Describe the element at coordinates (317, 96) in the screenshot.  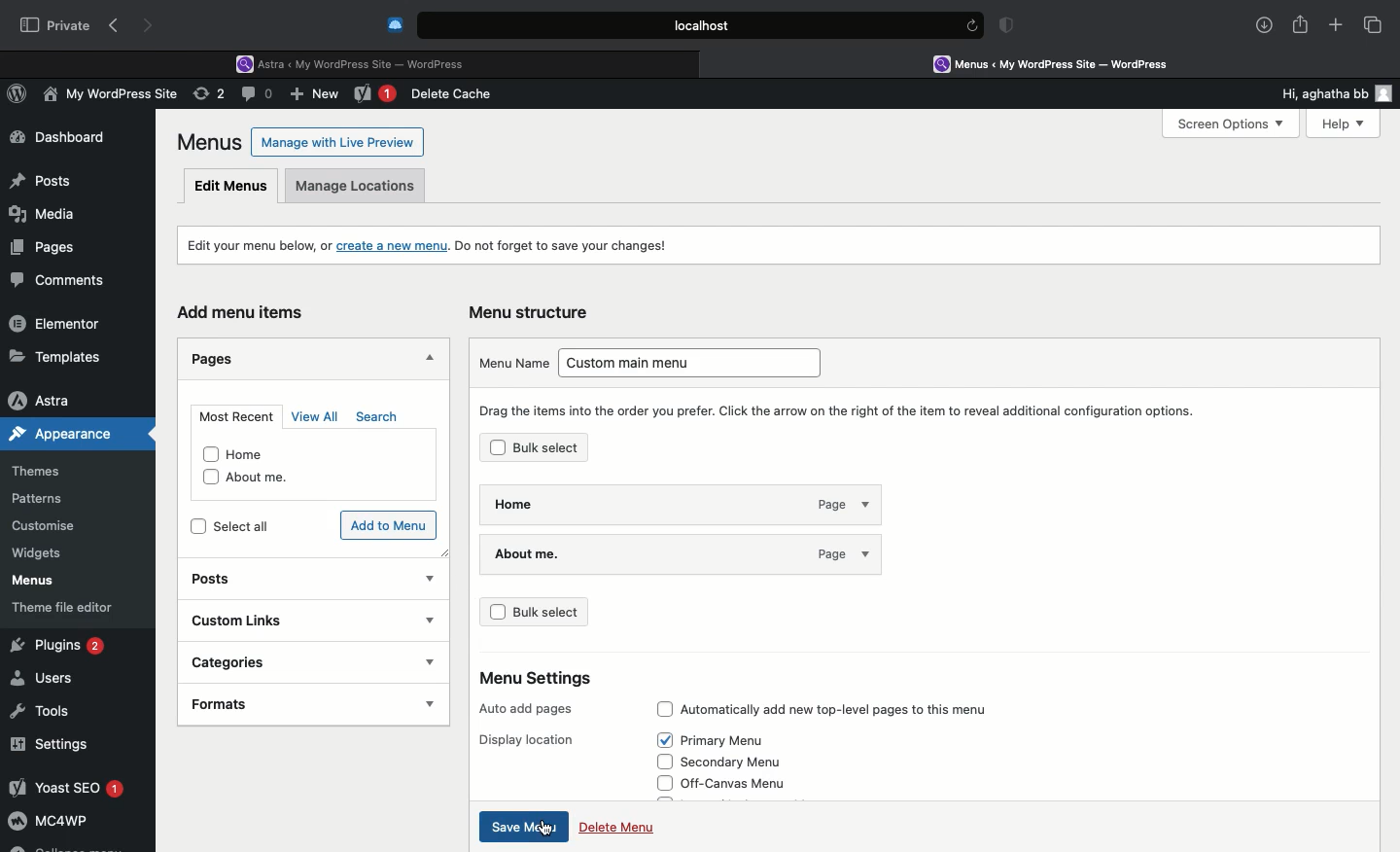
I see `New` at that location.